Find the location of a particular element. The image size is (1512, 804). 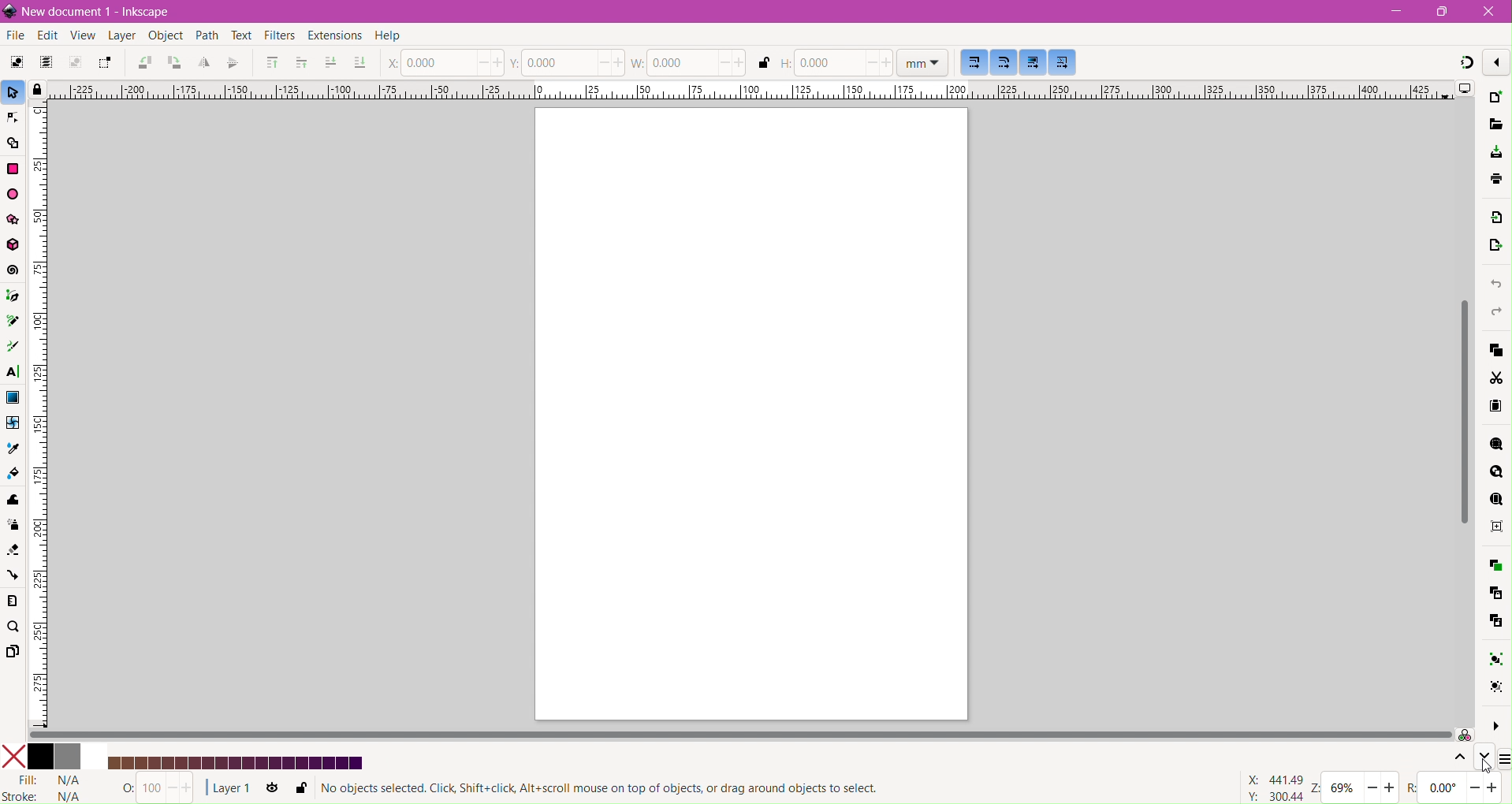

Restore Down is located at coordinates (1447, 10).